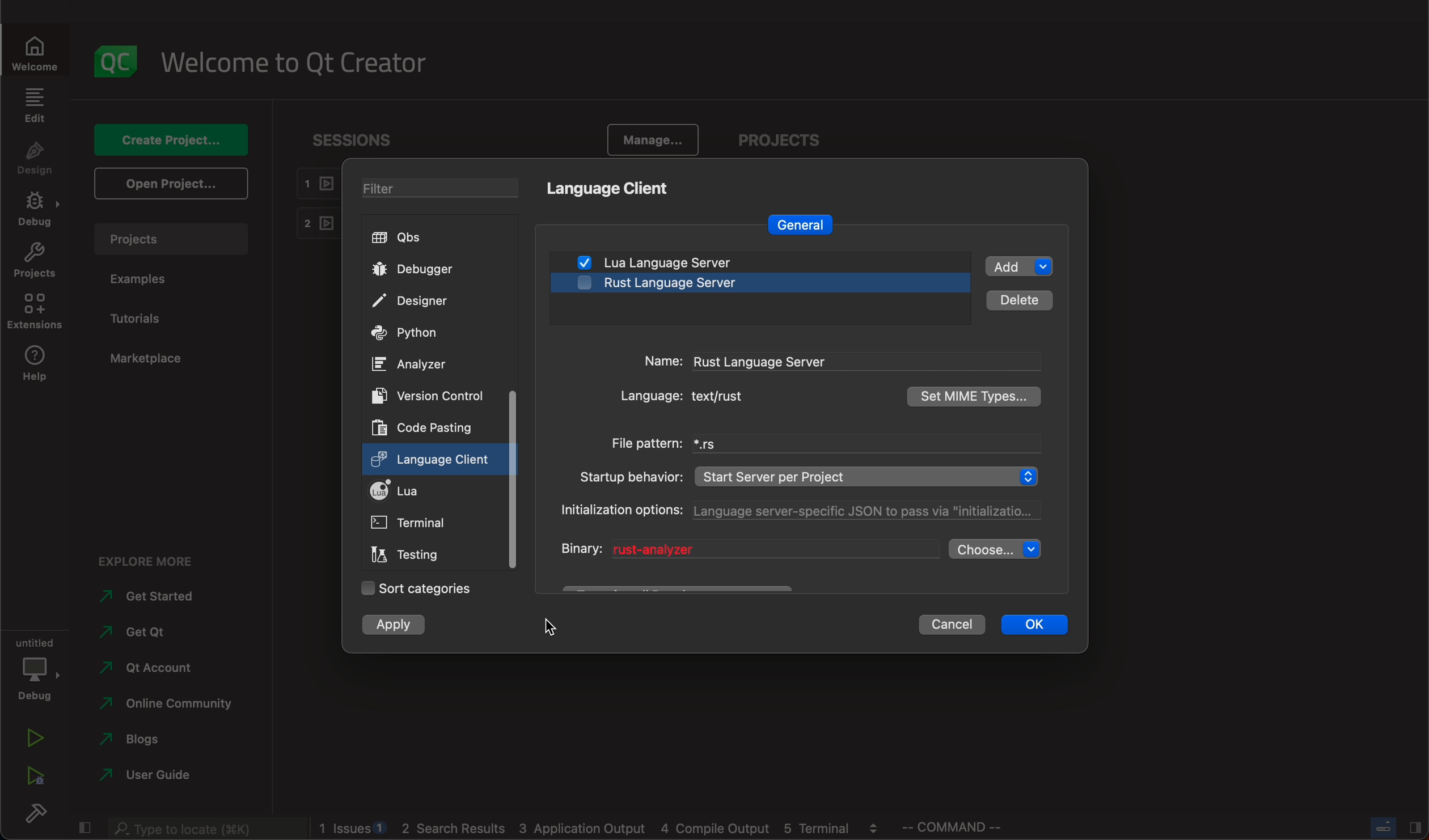  What do you see at coordinates (416, 587) in the screenshot?
I see `sort categories` at bounding box center [416, 587].